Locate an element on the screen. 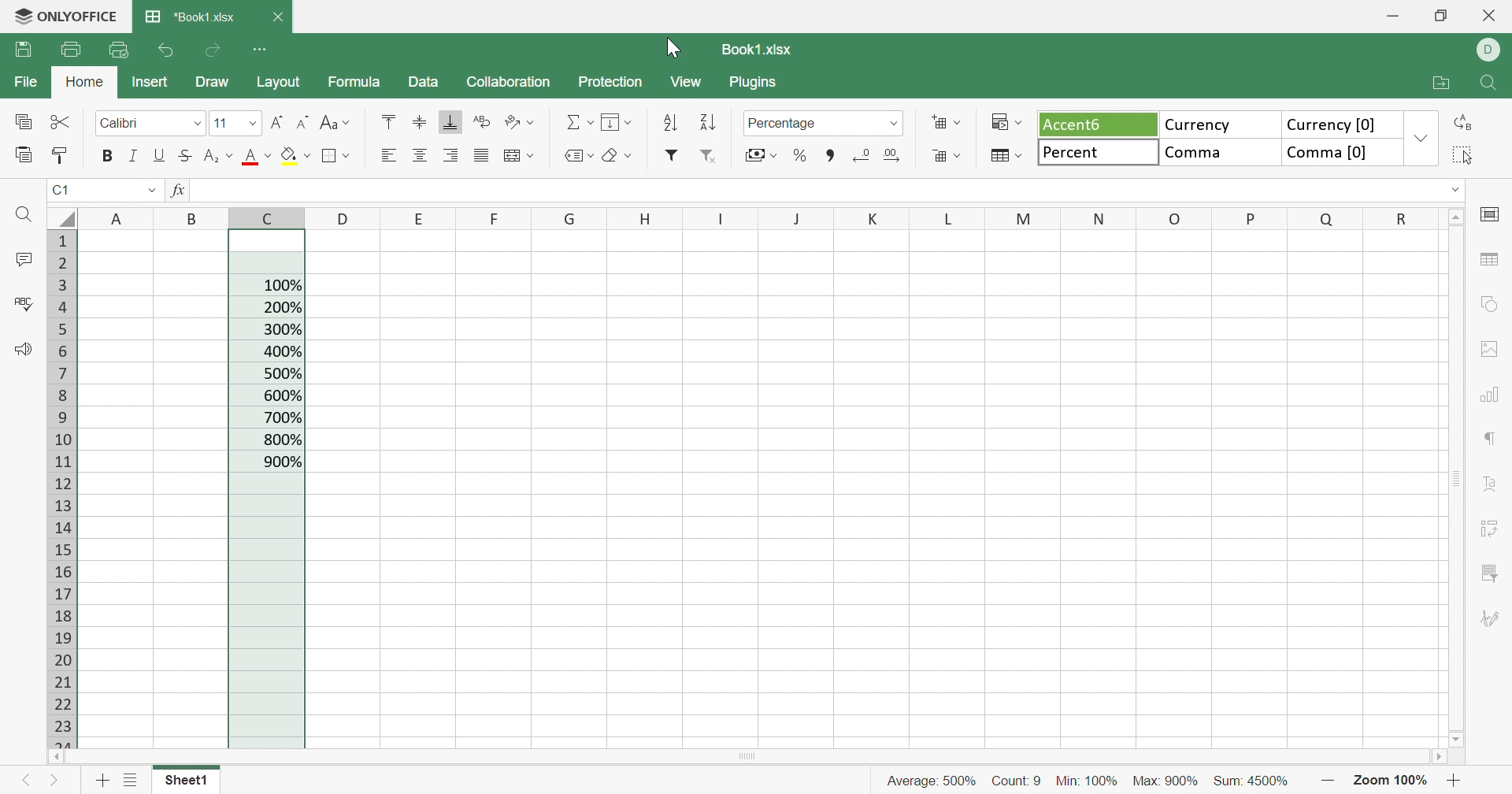  Clear is located at coordinates (617, 157).